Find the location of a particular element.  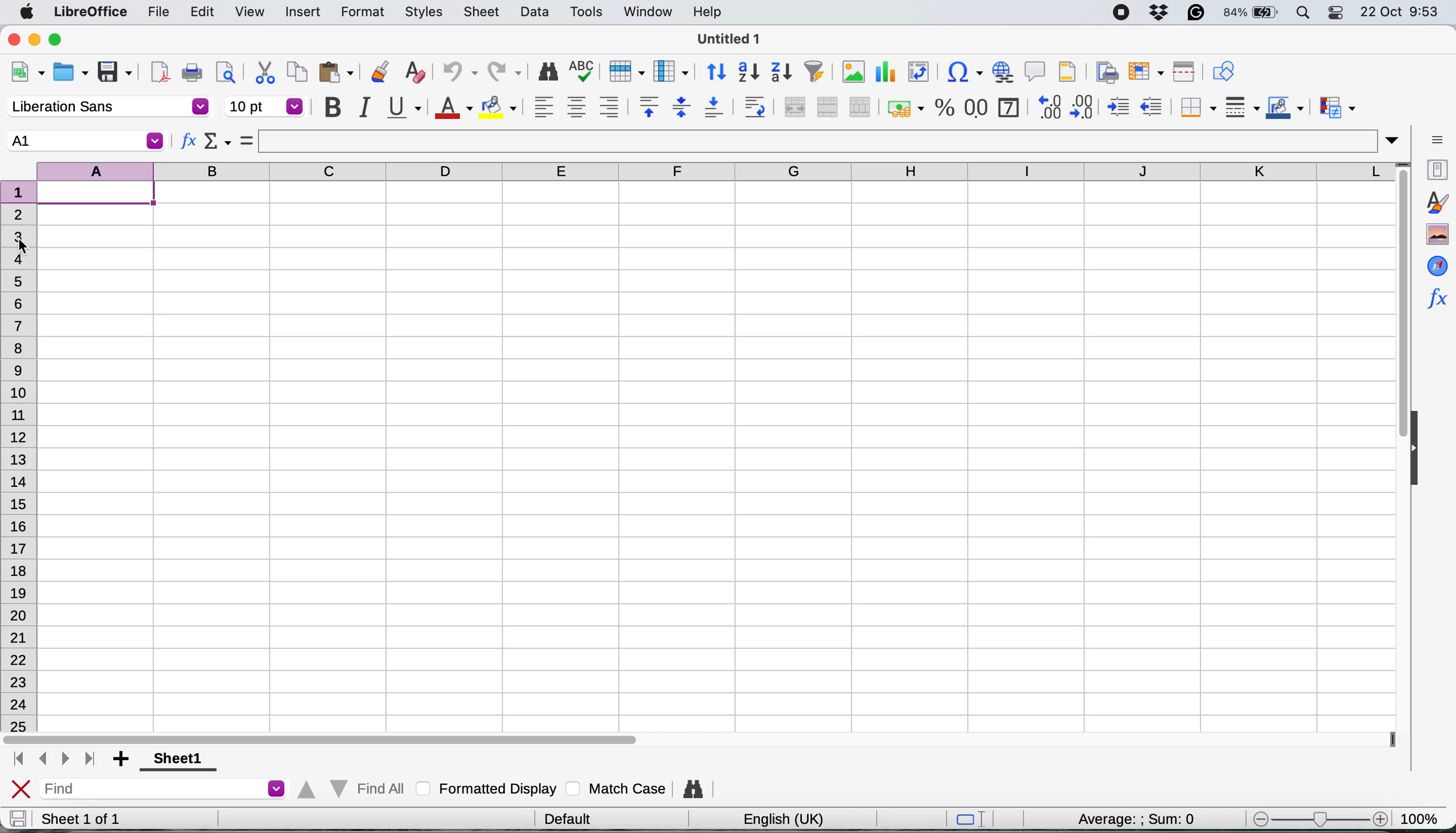

undo is located at coordinates (455, 73).